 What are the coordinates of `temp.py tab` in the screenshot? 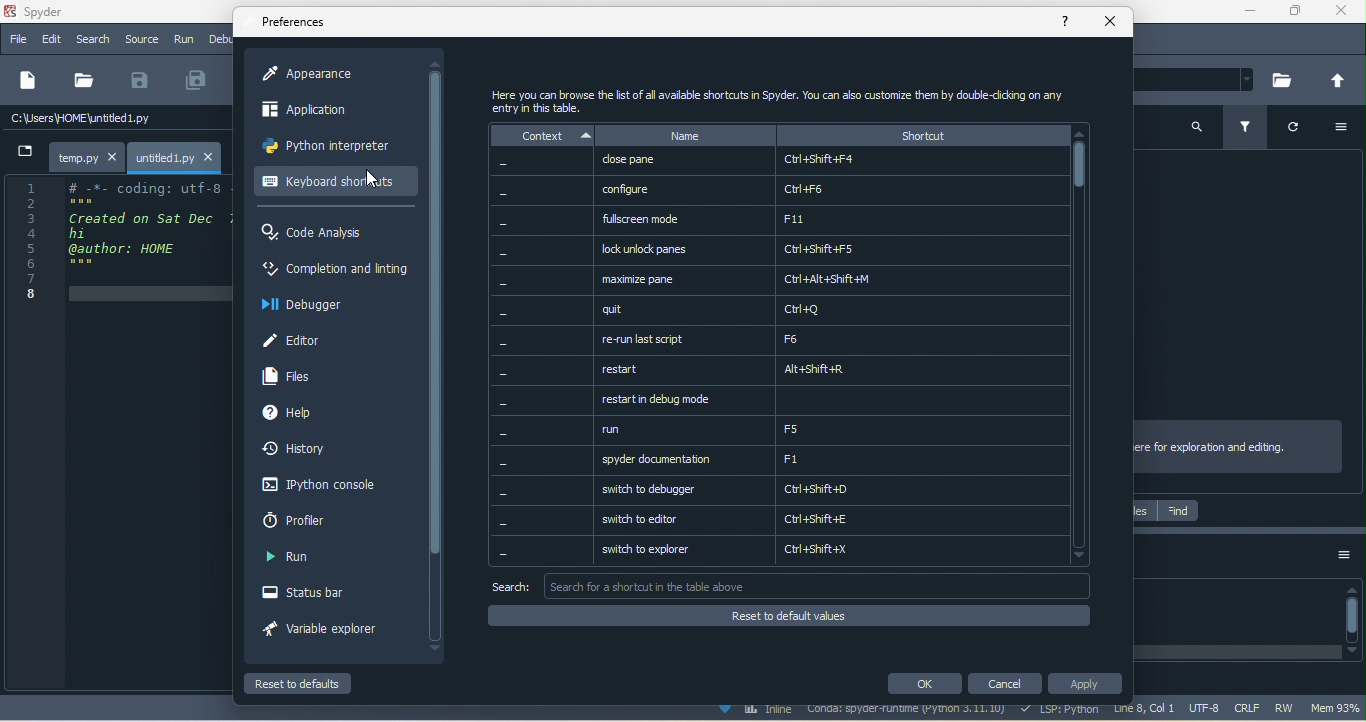 It's located at (85, 154).